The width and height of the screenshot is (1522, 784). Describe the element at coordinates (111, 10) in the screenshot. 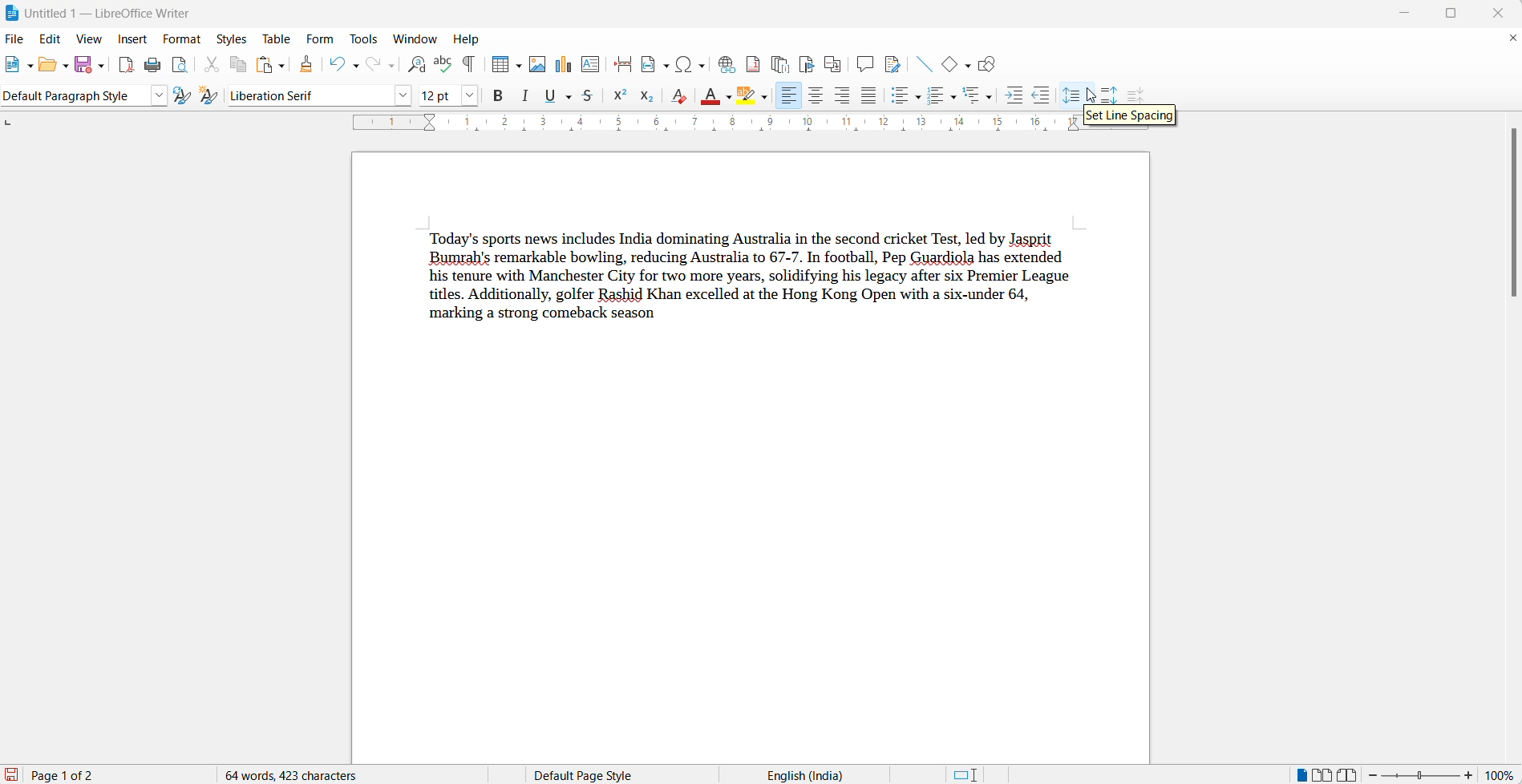

I see `file title` at that location.